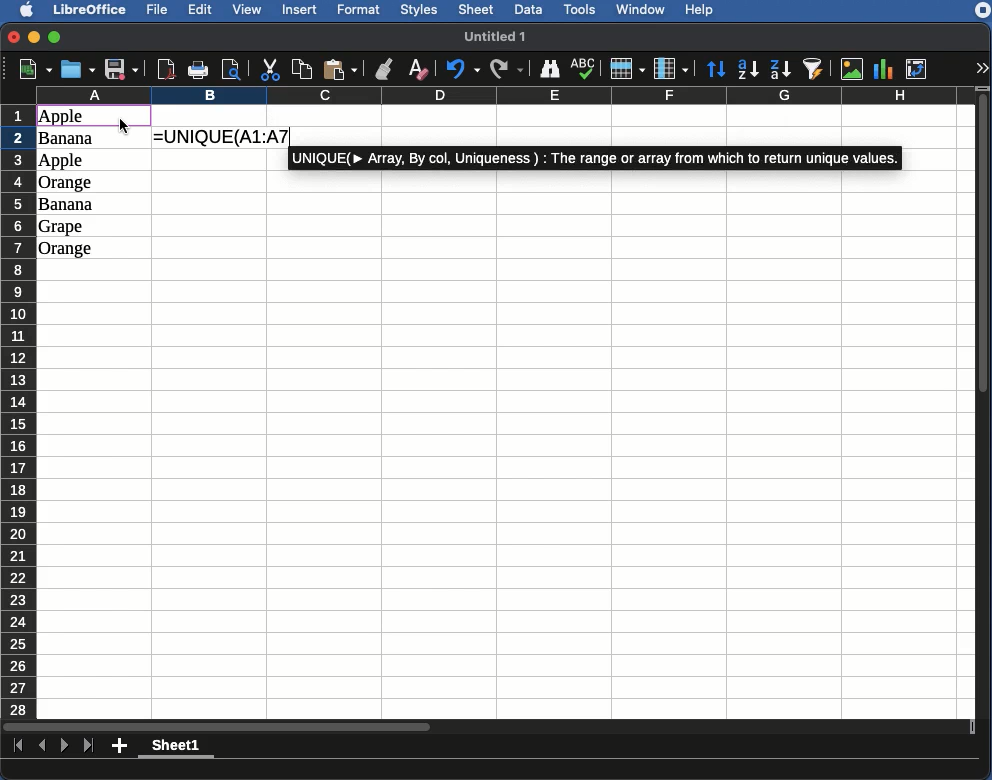 The image size is (992, 780). Describe the element at coordinates (201, 11) in the screenshot. I see `Edit` at that location.